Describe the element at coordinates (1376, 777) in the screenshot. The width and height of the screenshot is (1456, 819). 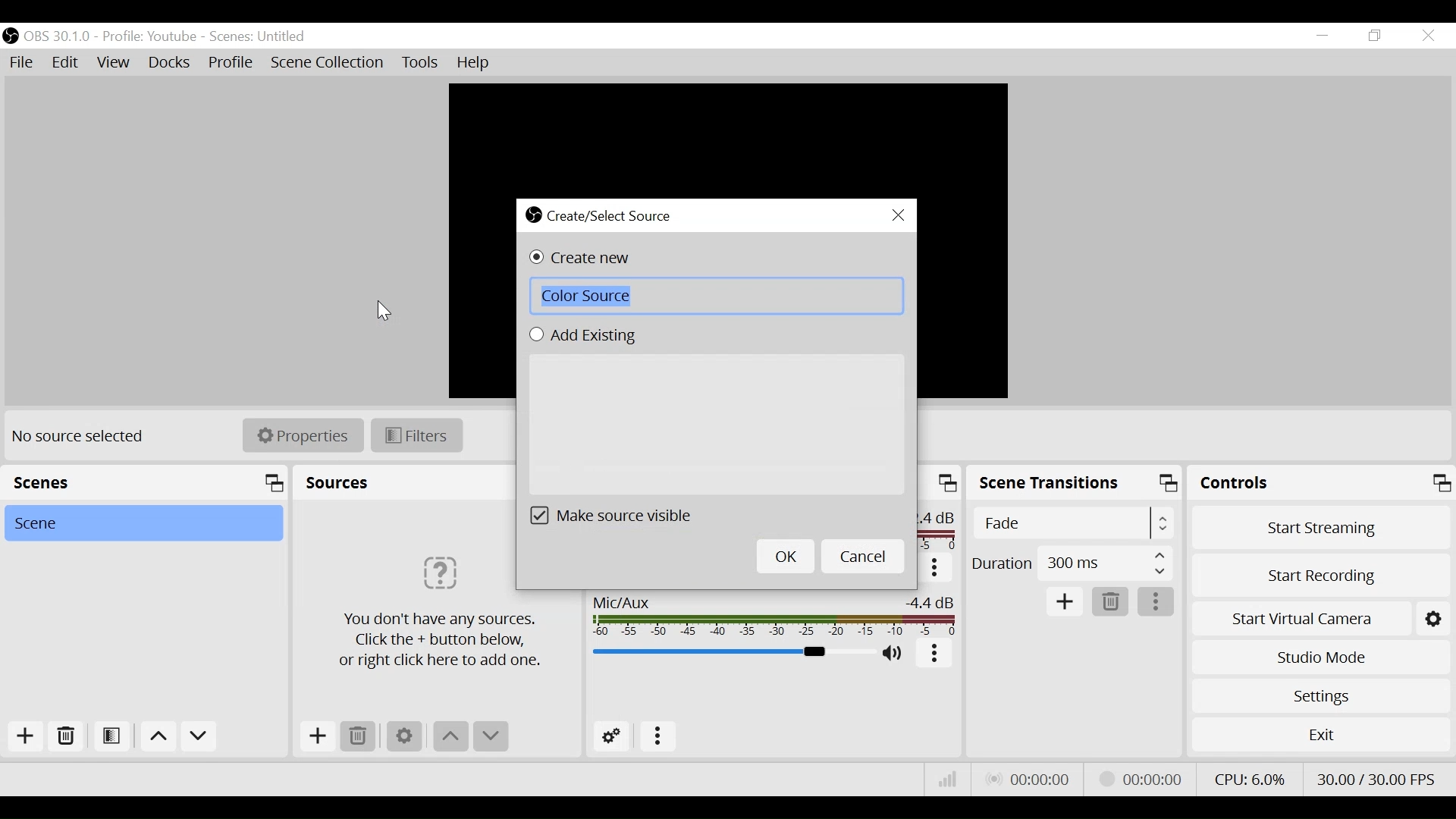
I see `Frame Per Second` at that location.